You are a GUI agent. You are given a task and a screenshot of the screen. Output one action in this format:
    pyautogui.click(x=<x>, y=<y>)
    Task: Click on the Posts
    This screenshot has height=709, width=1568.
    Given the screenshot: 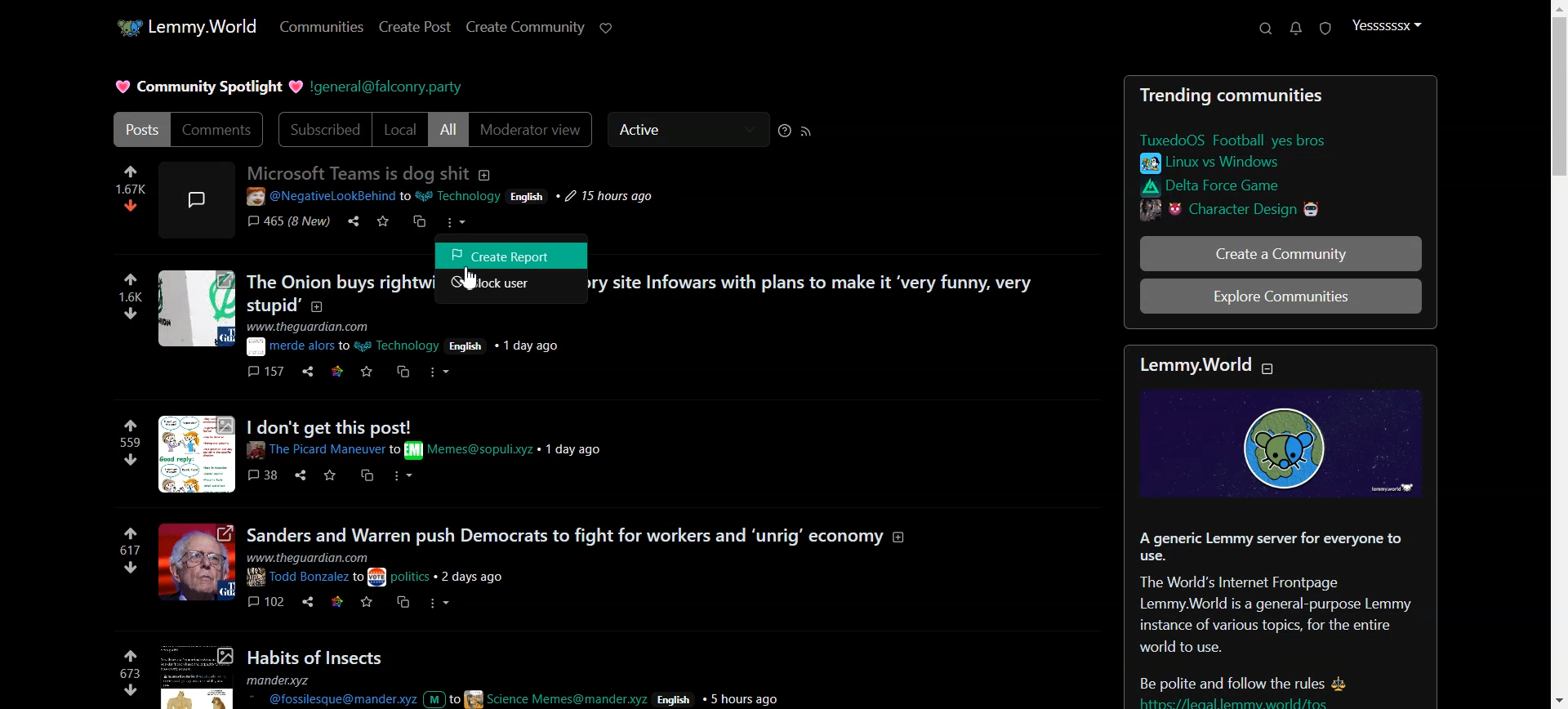 What is the action you would take?
    pyautogui.click(x=1280, y=616)
    